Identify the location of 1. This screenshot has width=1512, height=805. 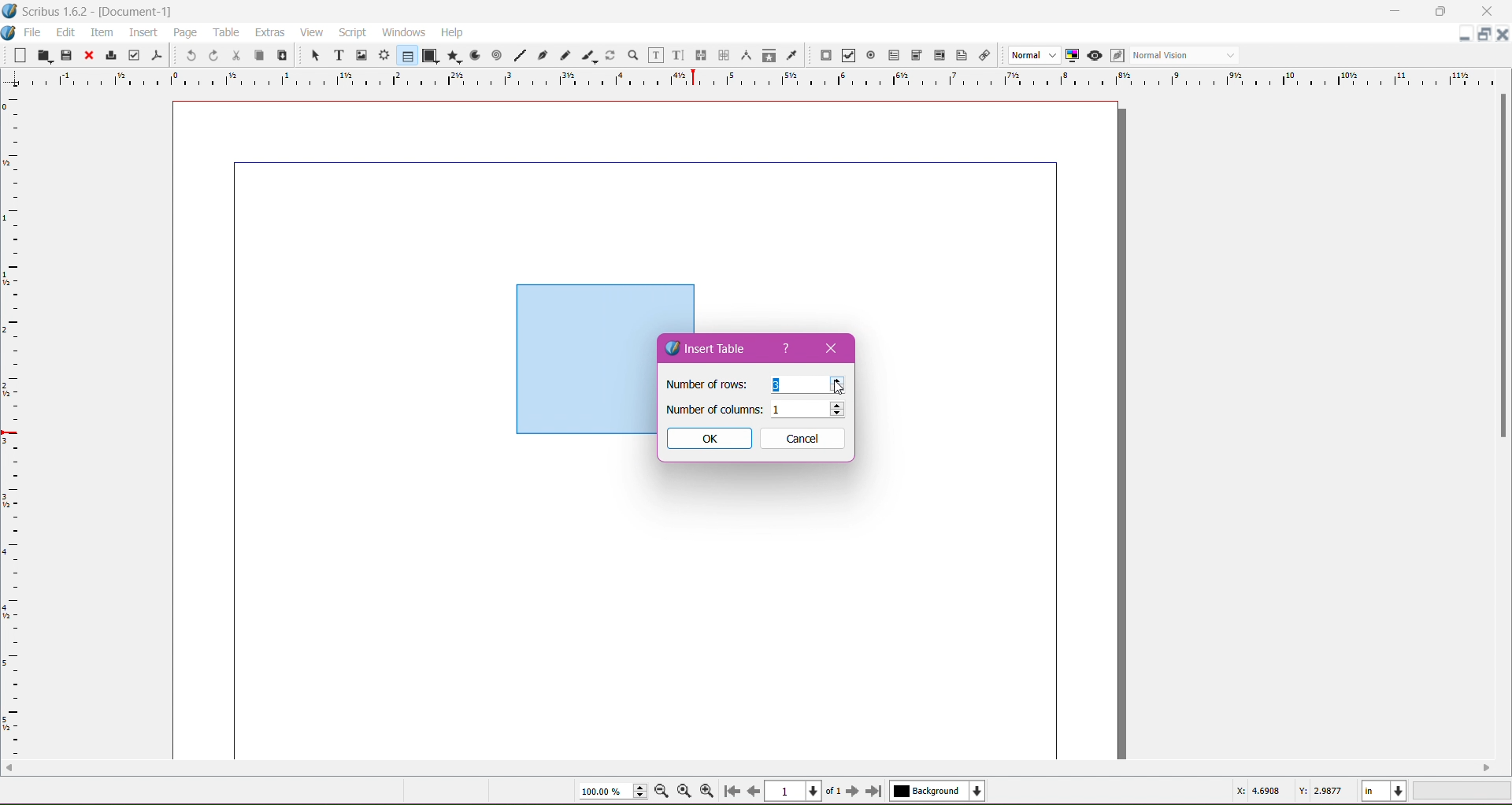
(784, 410).